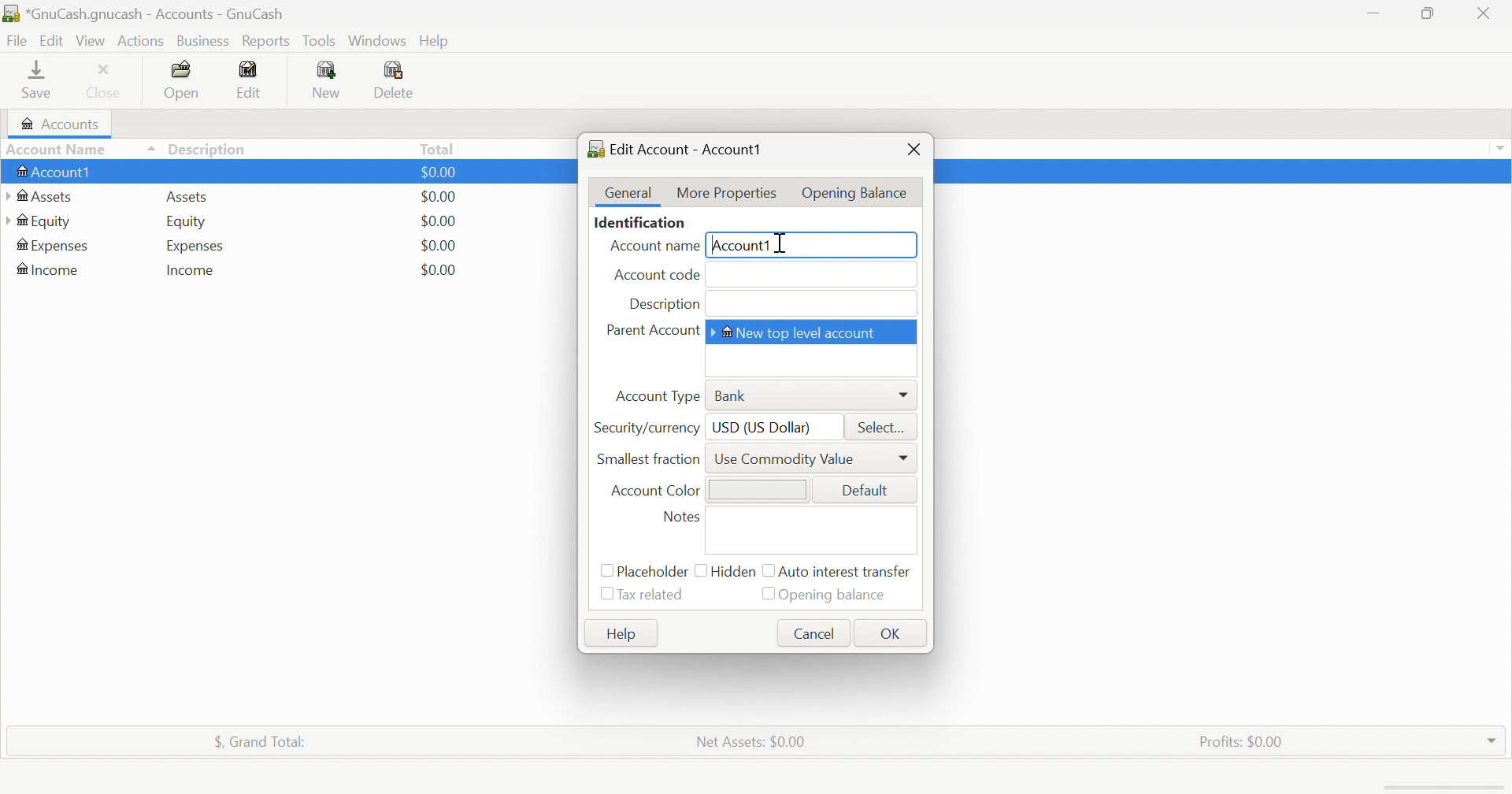 This screenshot has width=1512, height=794. Describe the element at coordinates (376, 39) in the screenshot. I see `Windows` at that location.